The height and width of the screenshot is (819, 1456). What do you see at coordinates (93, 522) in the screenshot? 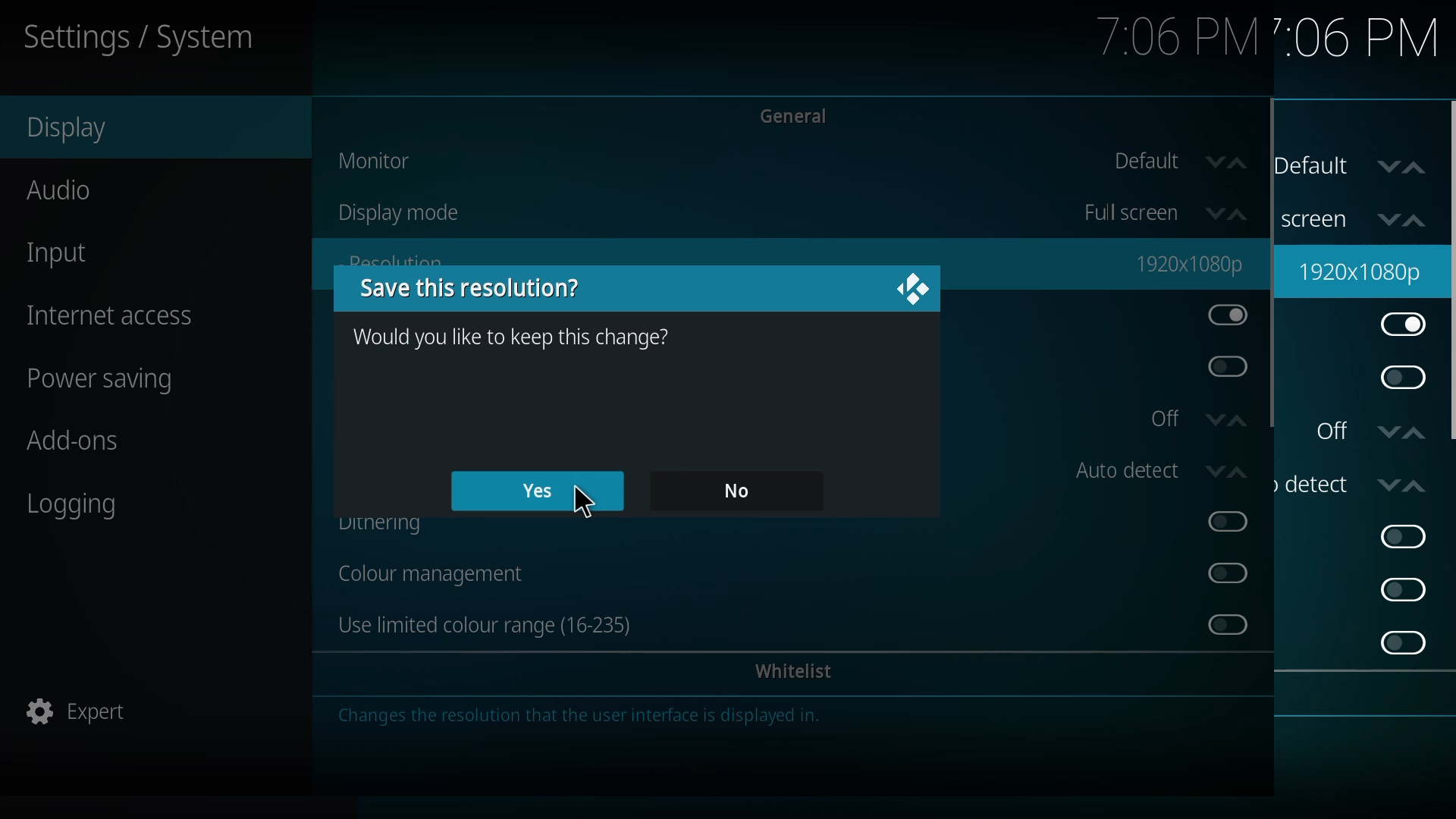
I see `logging` at bounding box center [93, 522].